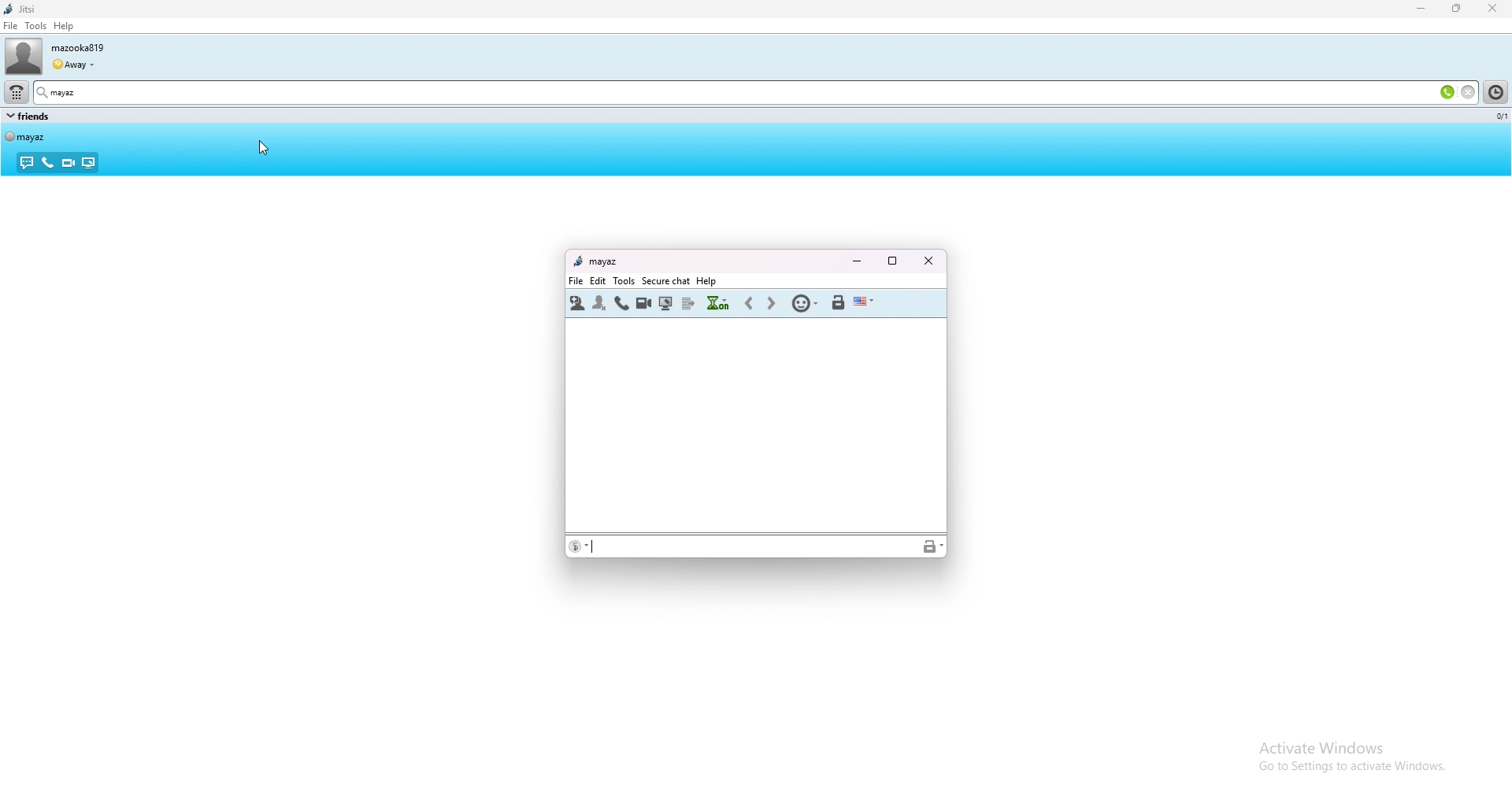 This screenshot has height=811, width=1512. What do you see at coordinates (36, 26) in the screenshot?
I see `tools` at bounding box center [36, 26].